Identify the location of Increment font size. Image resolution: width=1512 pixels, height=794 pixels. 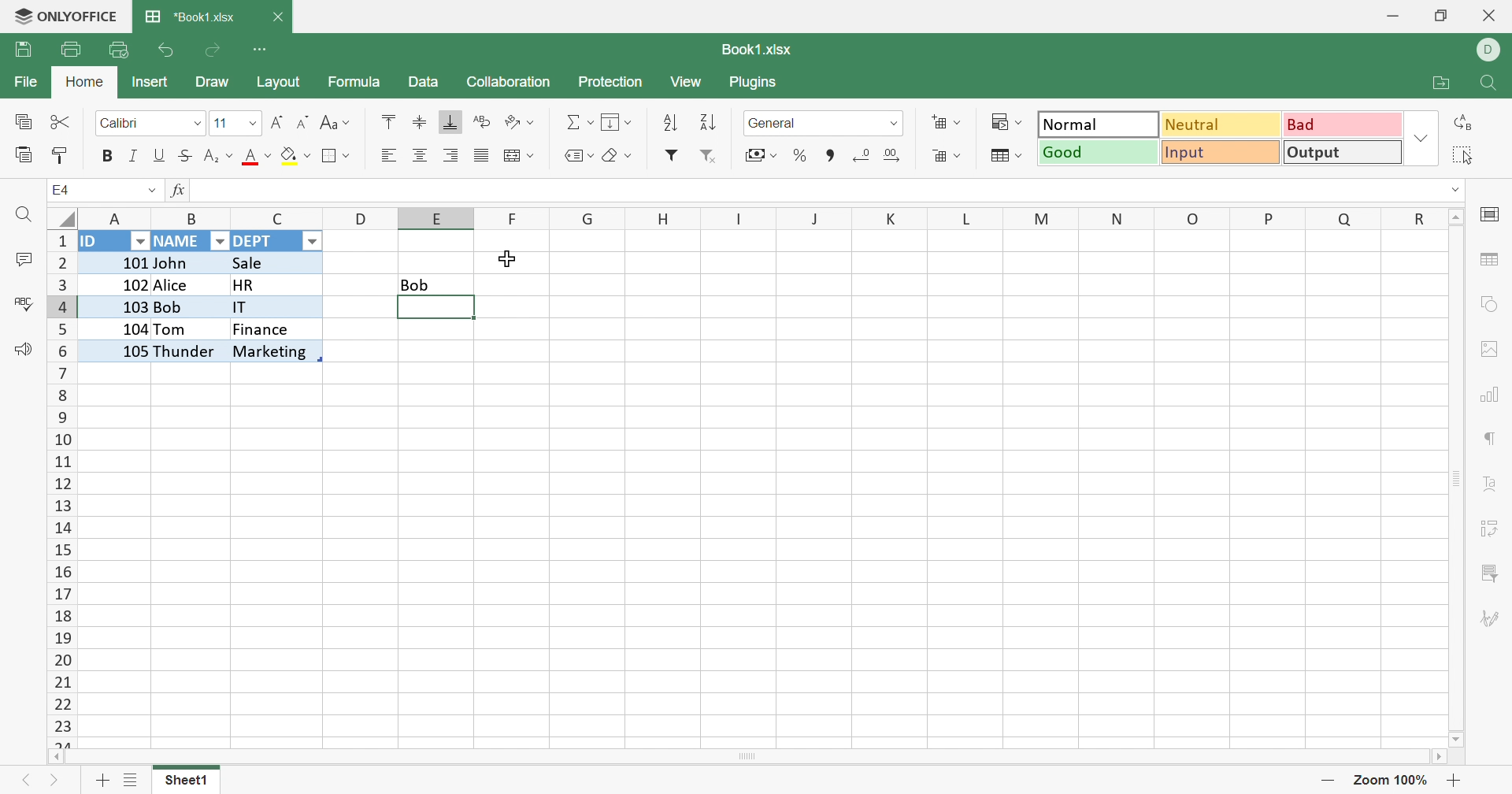
(276, 123).